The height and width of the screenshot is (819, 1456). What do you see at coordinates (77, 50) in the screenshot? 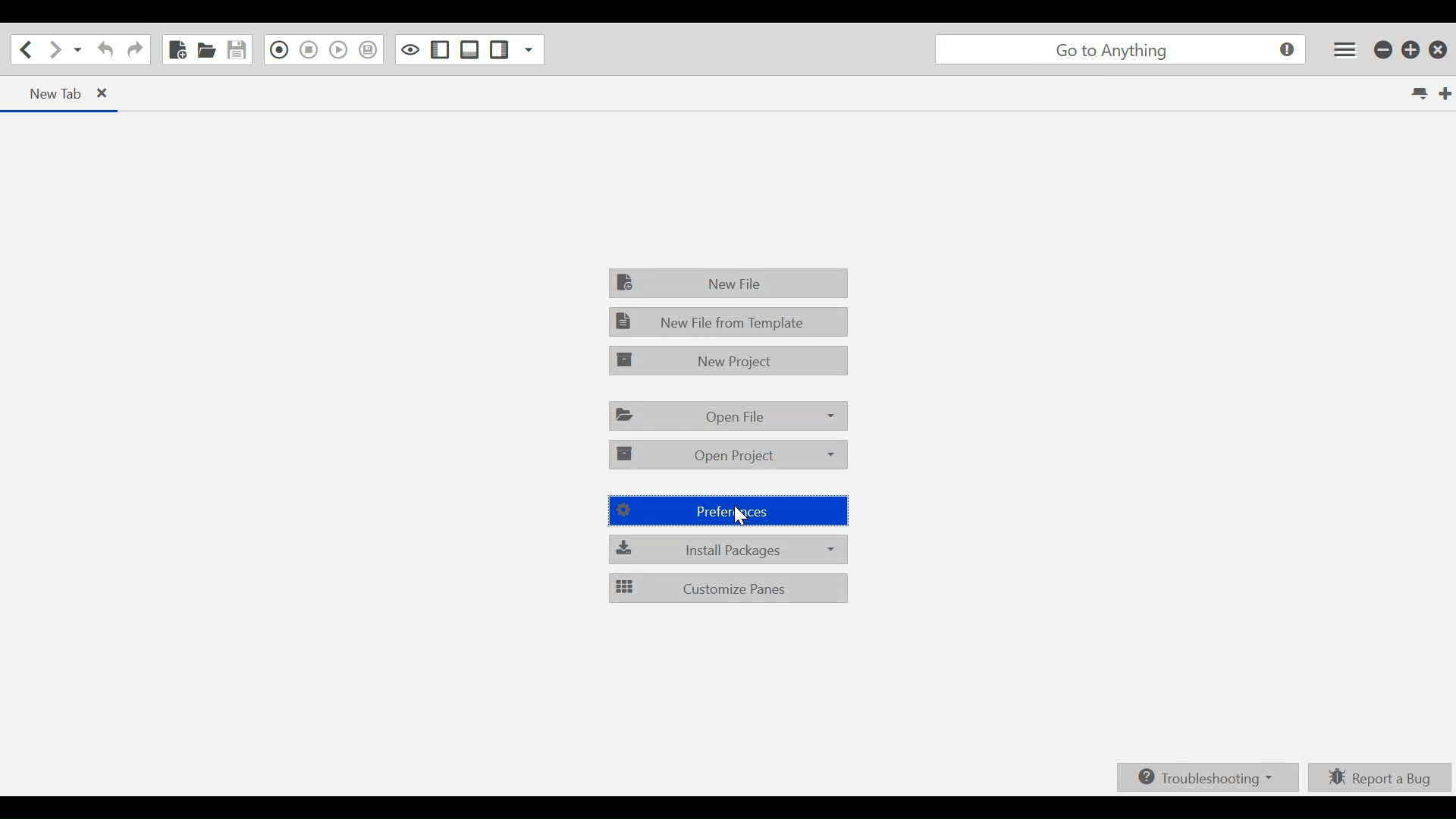
I see `Recent location` at bounding box center [77, 50].